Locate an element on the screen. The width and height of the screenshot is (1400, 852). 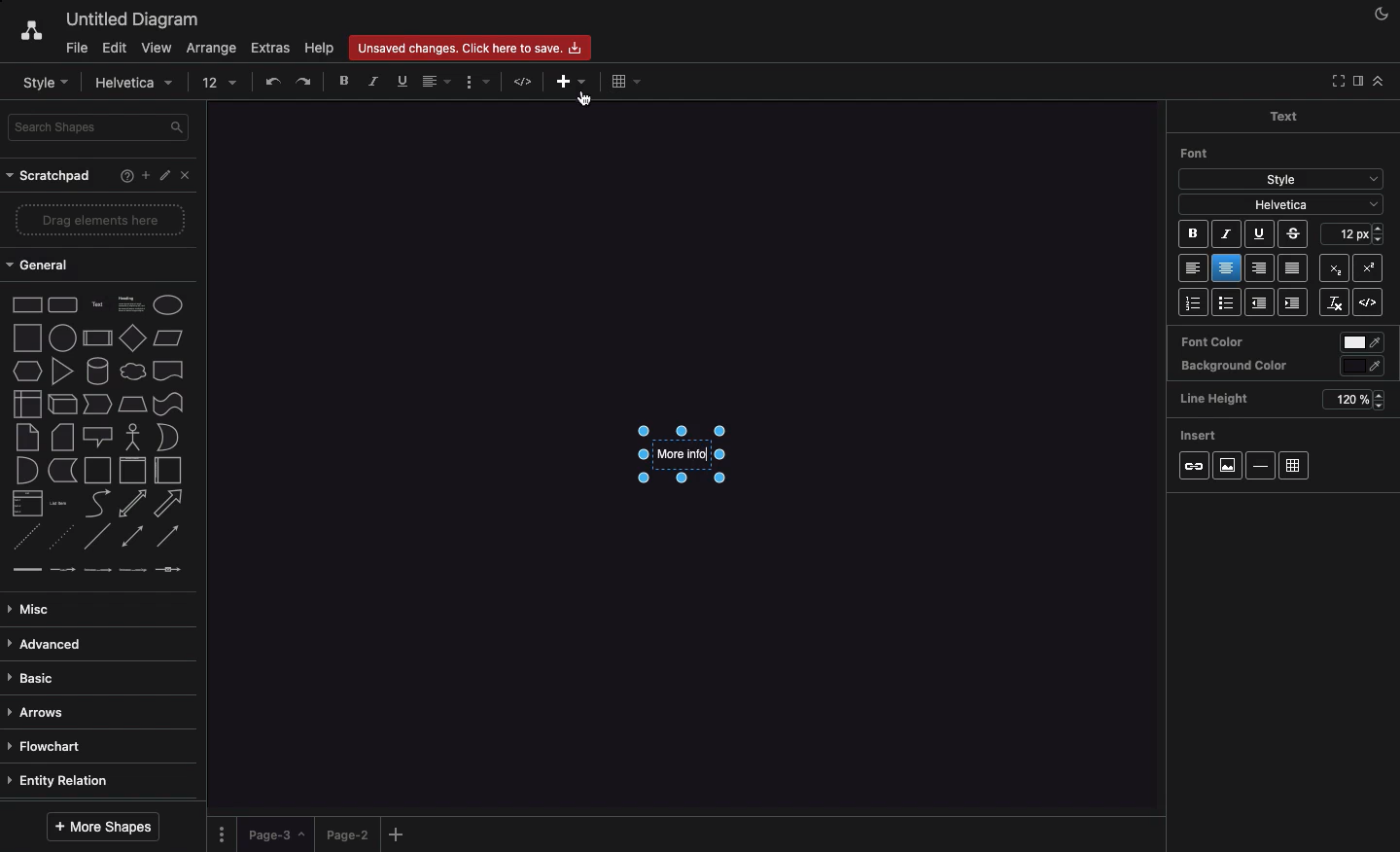
Advanced is located at coordinates (49, 646).